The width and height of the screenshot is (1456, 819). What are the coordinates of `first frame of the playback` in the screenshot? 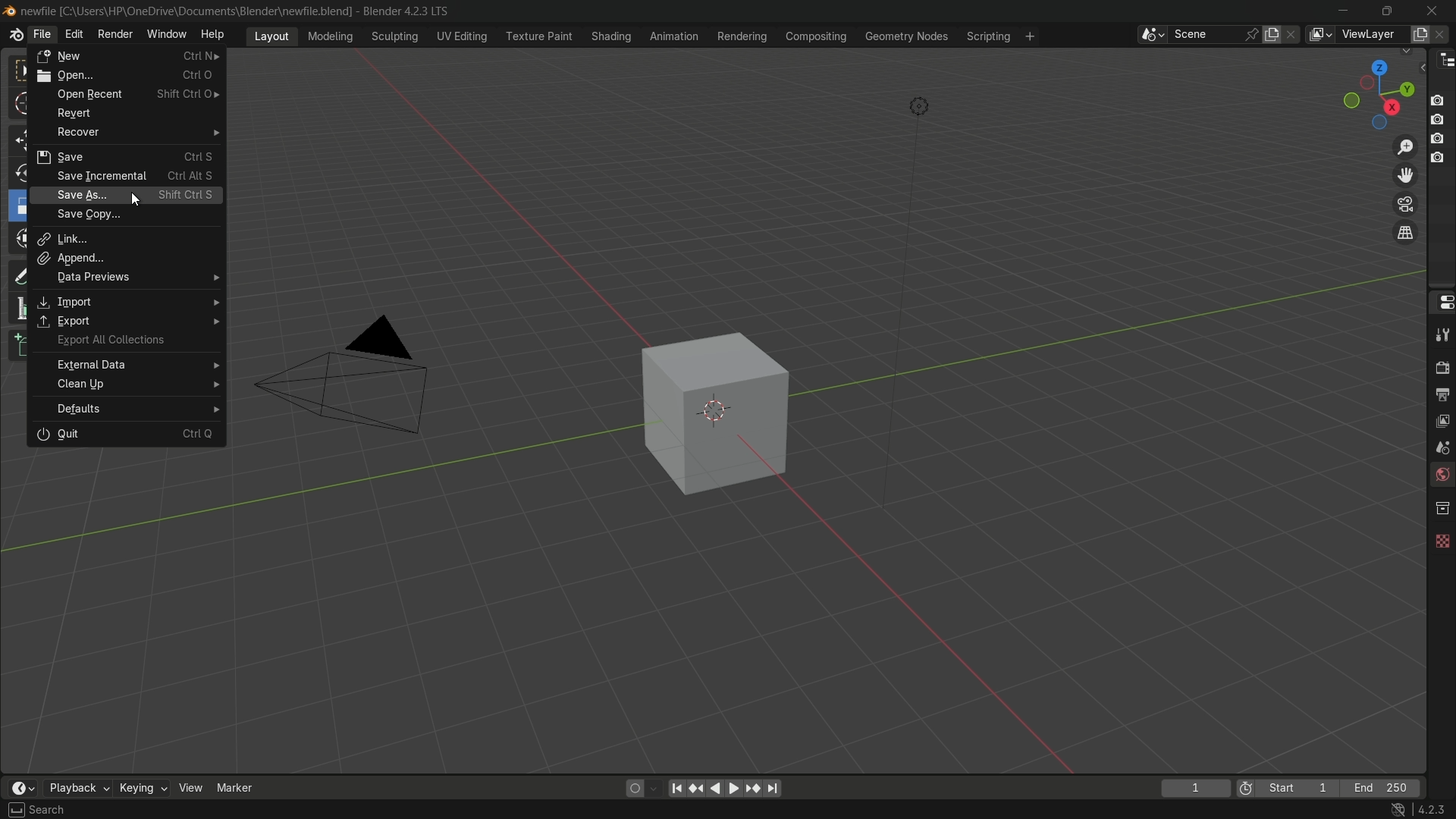 It's located at (1288, 788).